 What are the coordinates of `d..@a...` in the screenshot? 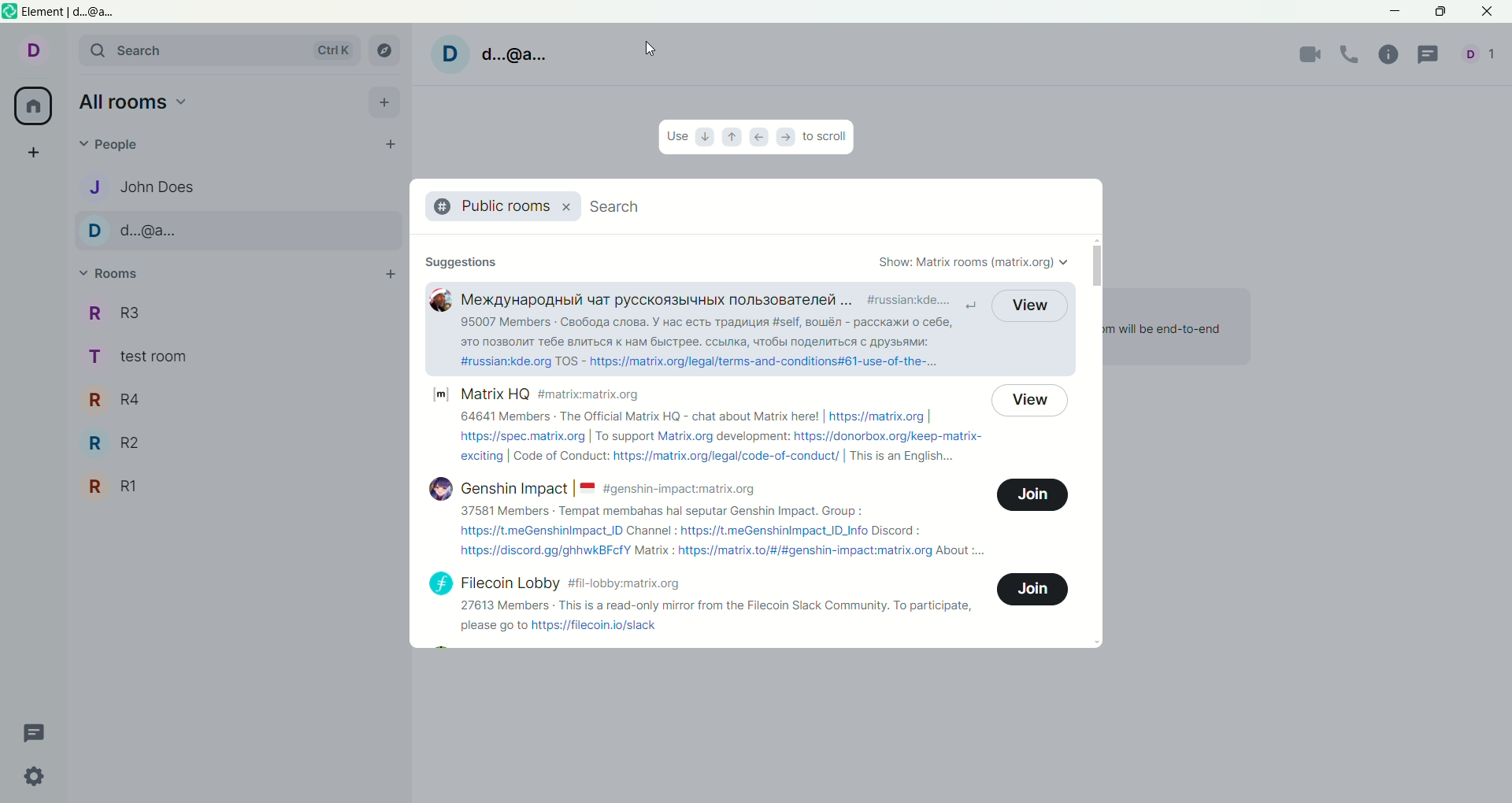 It's located at (513, 54).